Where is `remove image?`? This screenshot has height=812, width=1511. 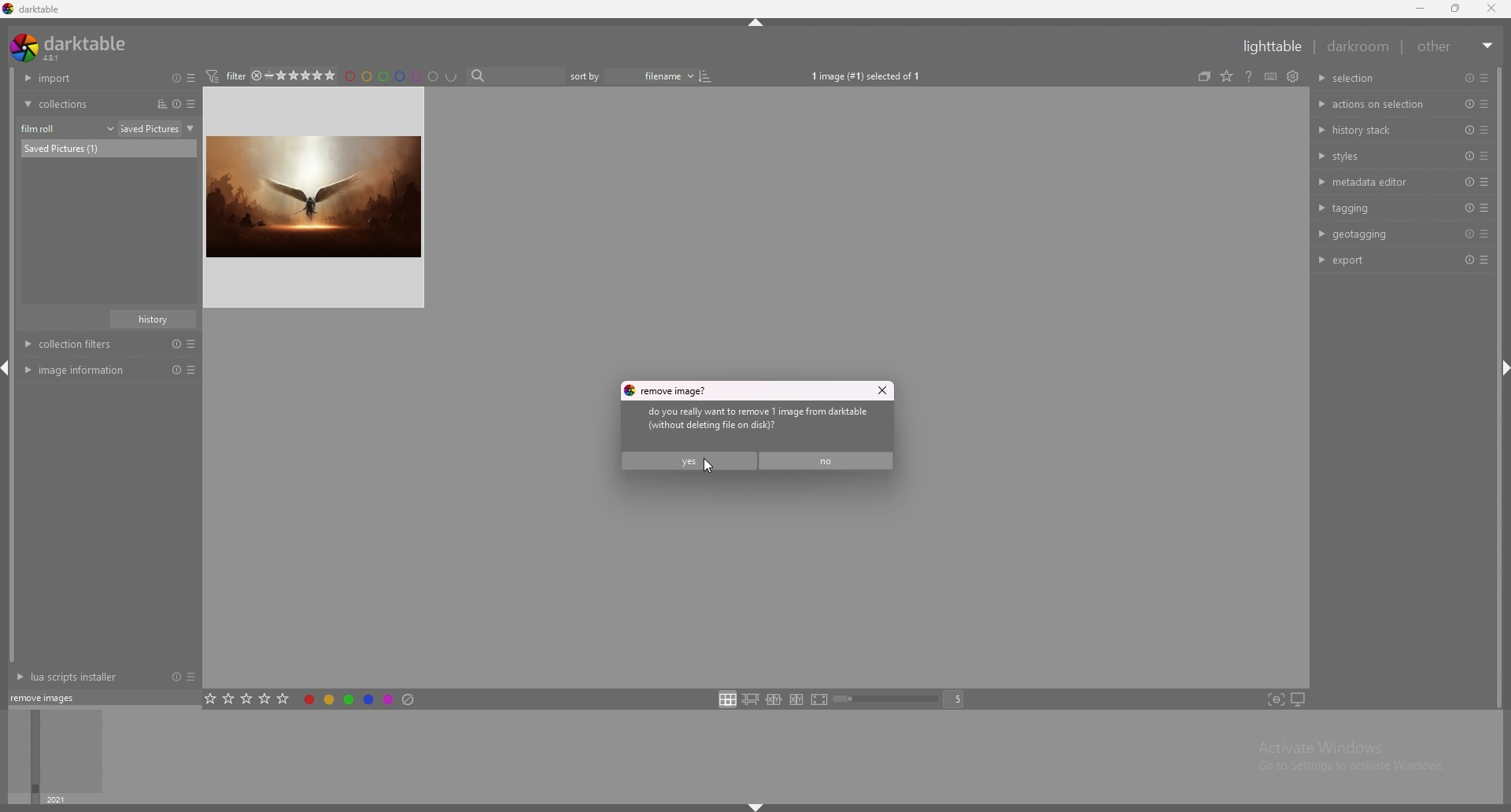
remove image? is located at coordinates (668, 390).